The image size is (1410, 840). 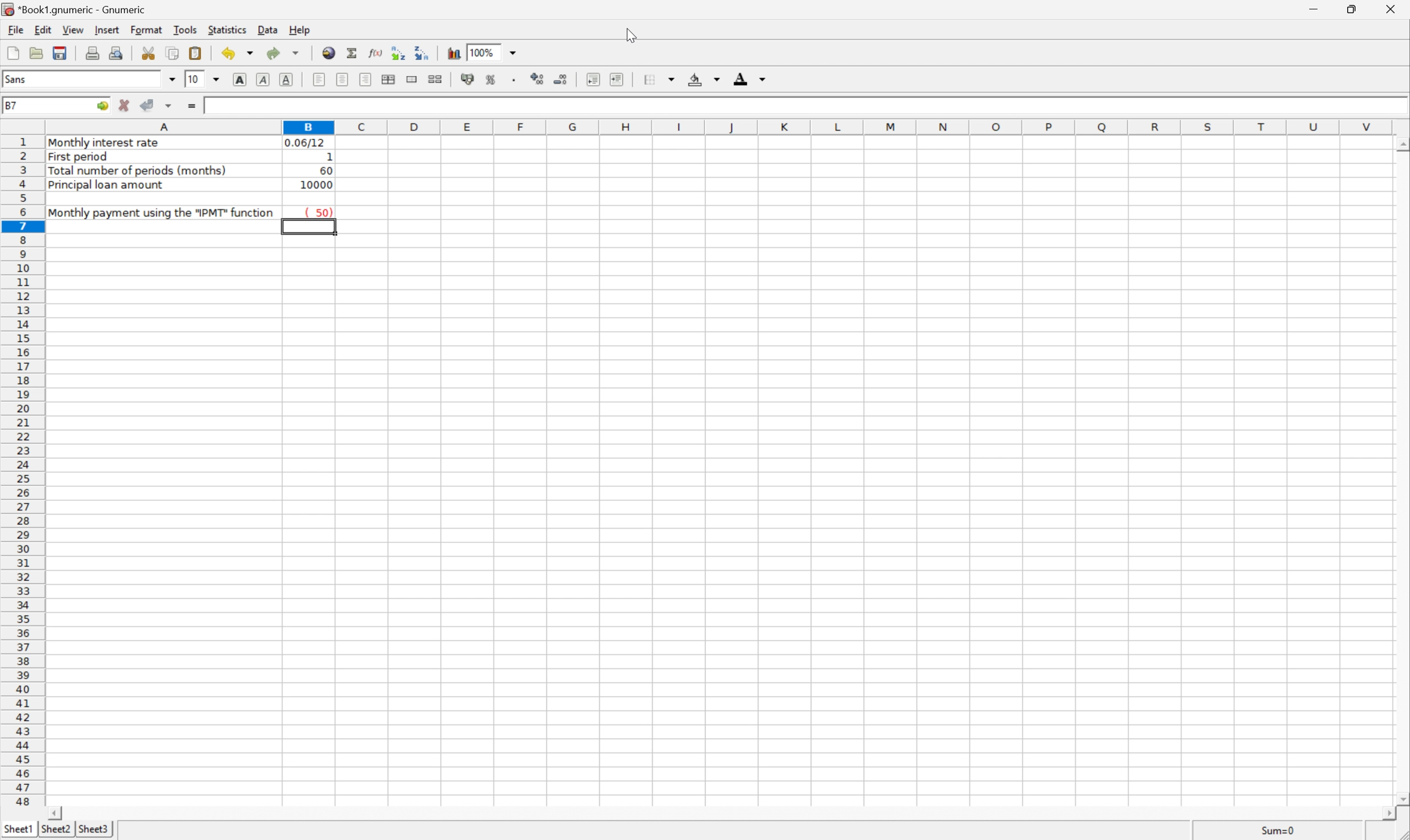 I want to click on Scroll Left, so click(x=57, y=812).